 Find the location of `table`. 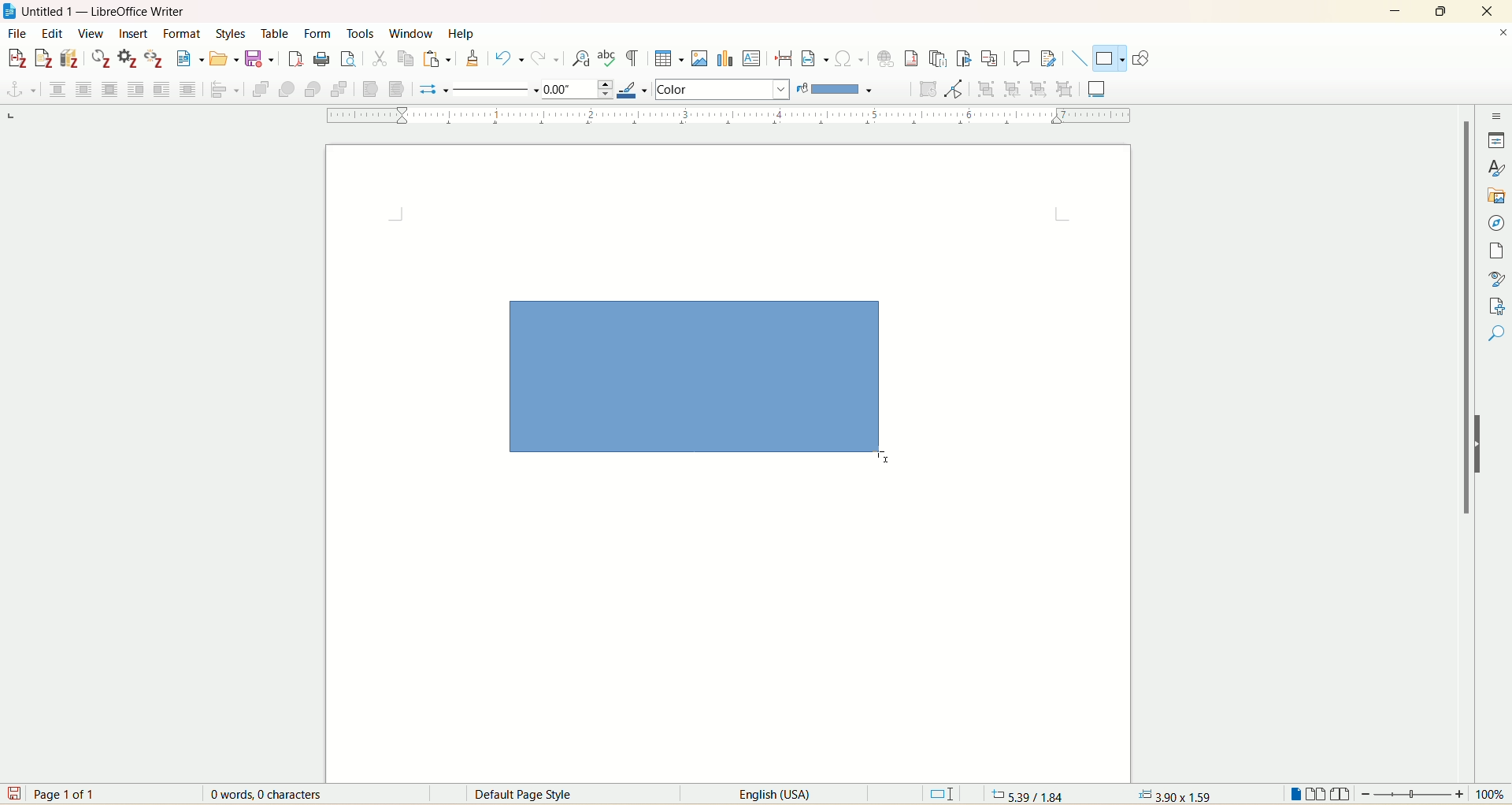

table is located at coordinates (280, 33).